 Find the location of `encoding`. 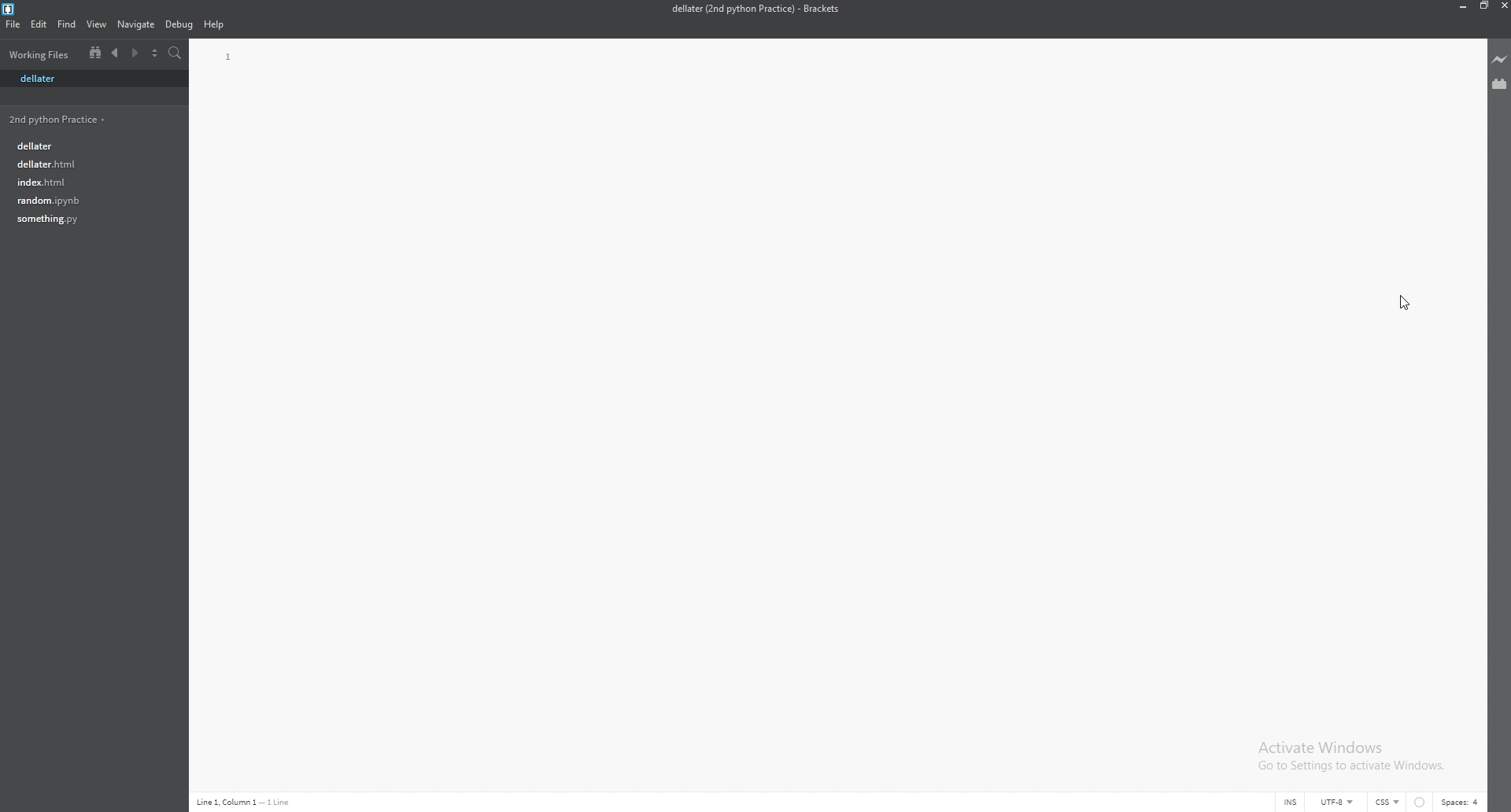

encoding is located at coordinates (1324, 802).